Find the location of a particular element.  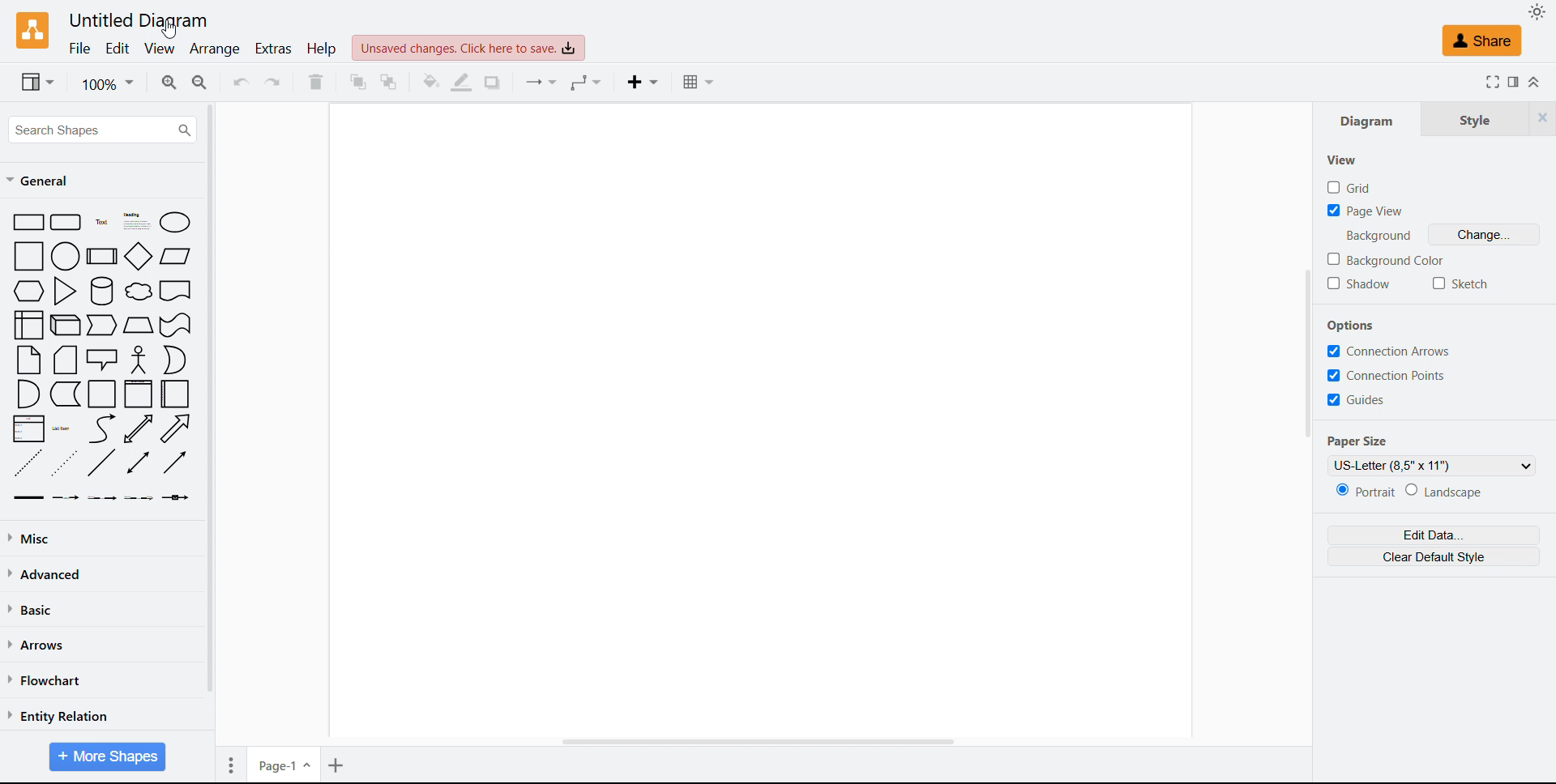

Insert  is located at coordinates (641, 82).